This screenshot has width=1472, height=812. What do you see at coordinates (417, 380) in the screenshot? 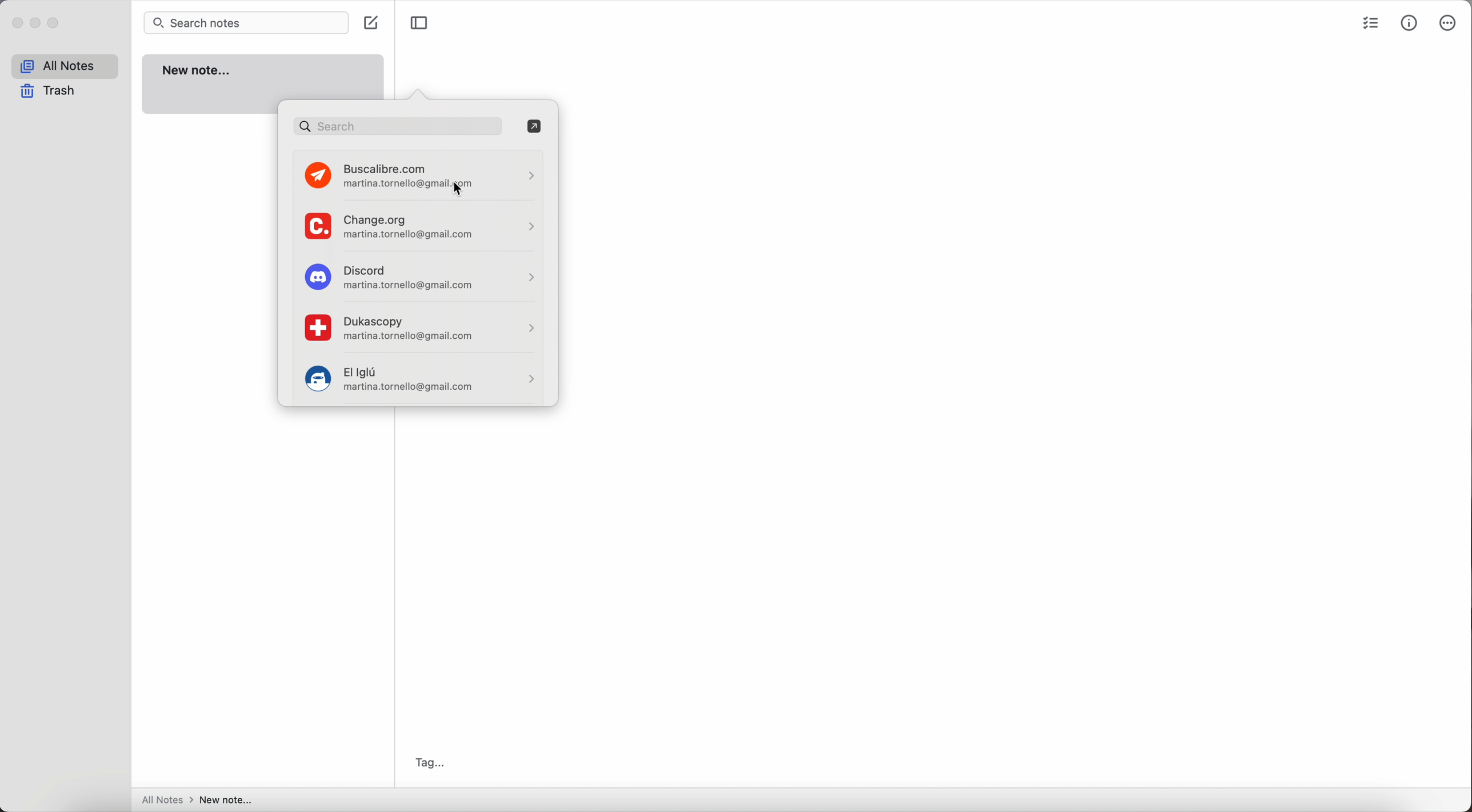
I see `El iglú` at bounding box center [417, 380].